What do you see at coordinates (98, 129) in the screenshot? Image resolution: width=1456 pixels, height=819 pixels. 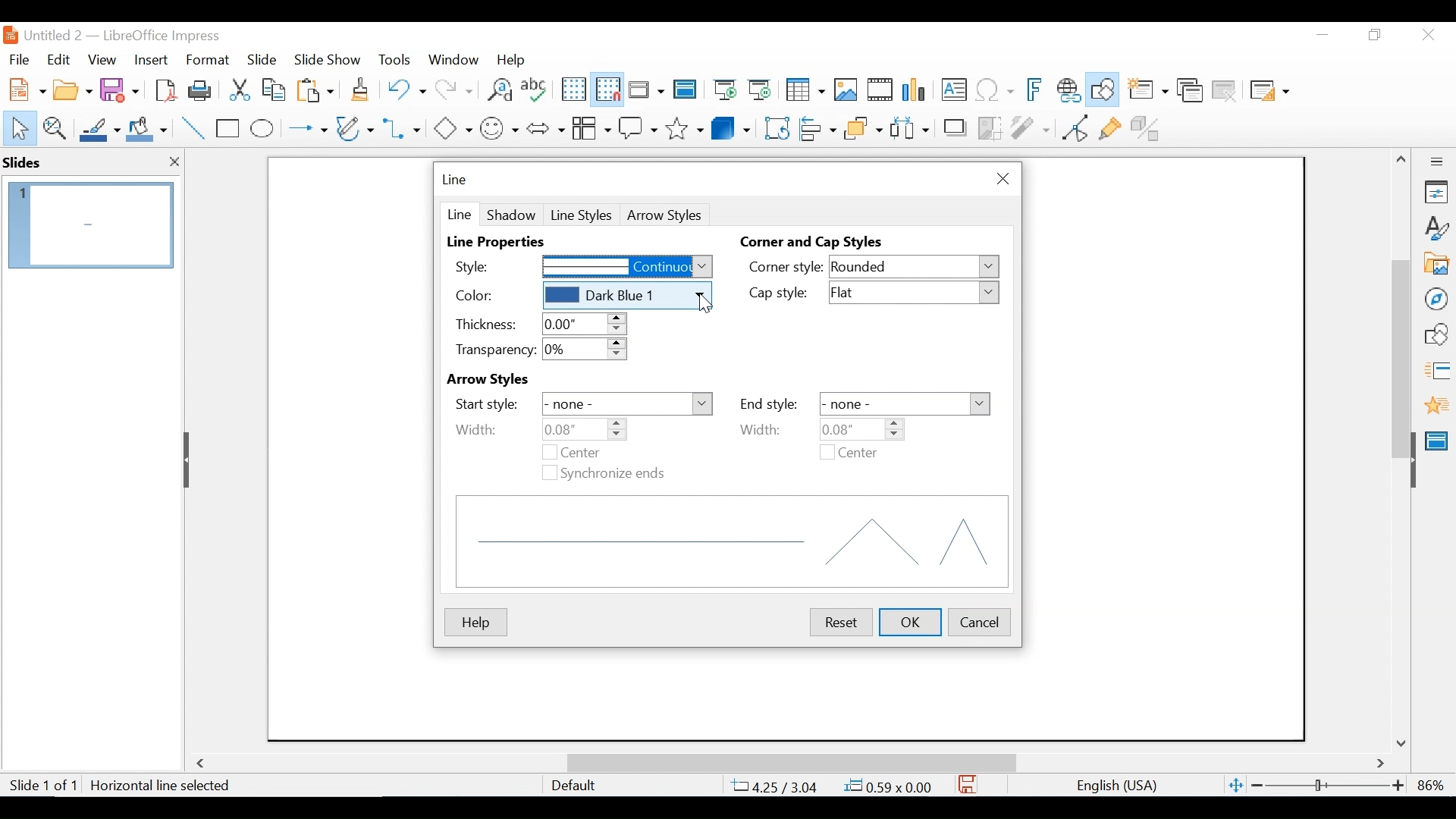 I see `Line Color` at bounding box center [98, 129].